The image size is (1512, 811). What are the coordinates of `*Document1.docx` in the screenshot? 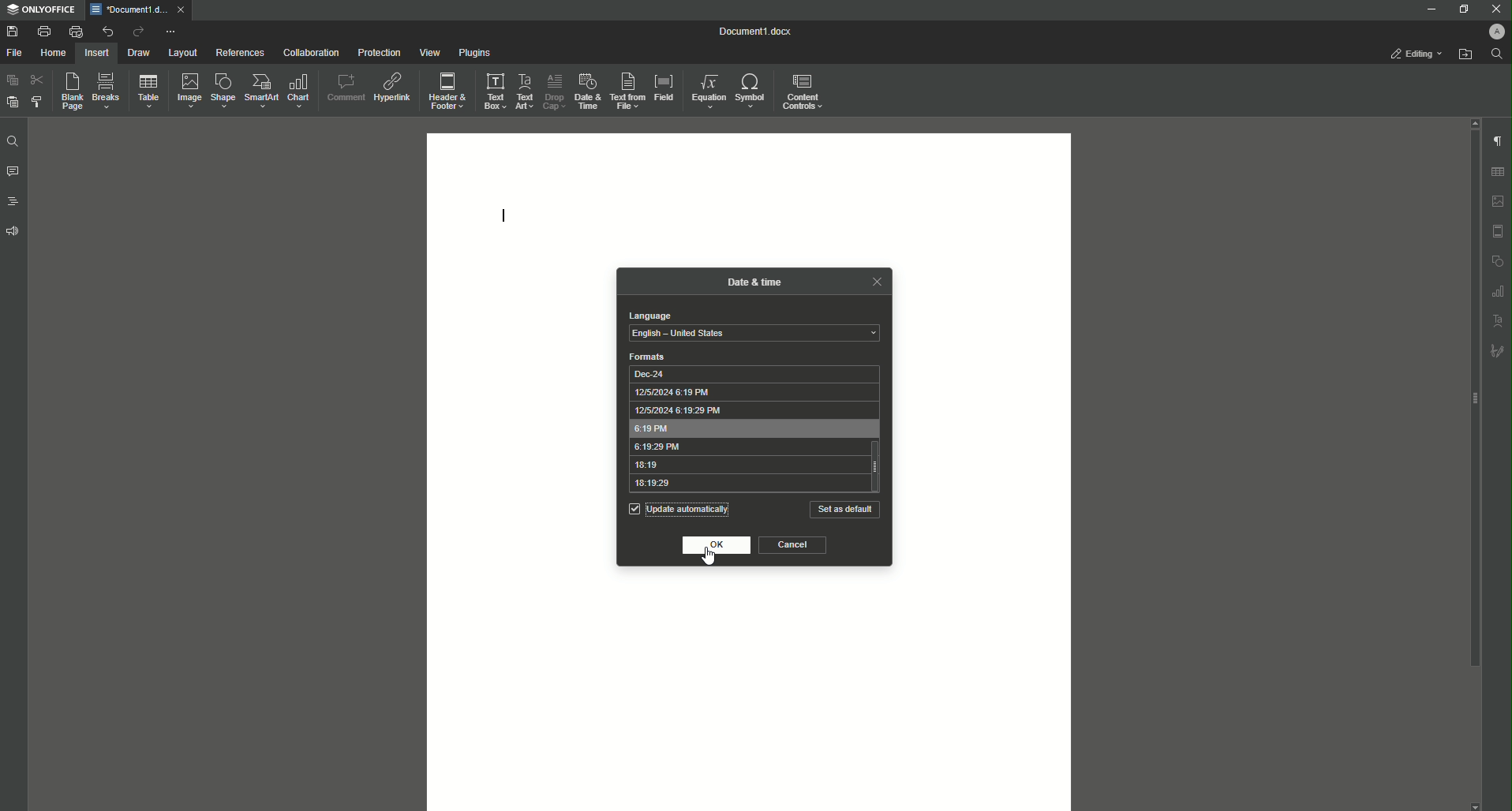 It's located at (128, 9).